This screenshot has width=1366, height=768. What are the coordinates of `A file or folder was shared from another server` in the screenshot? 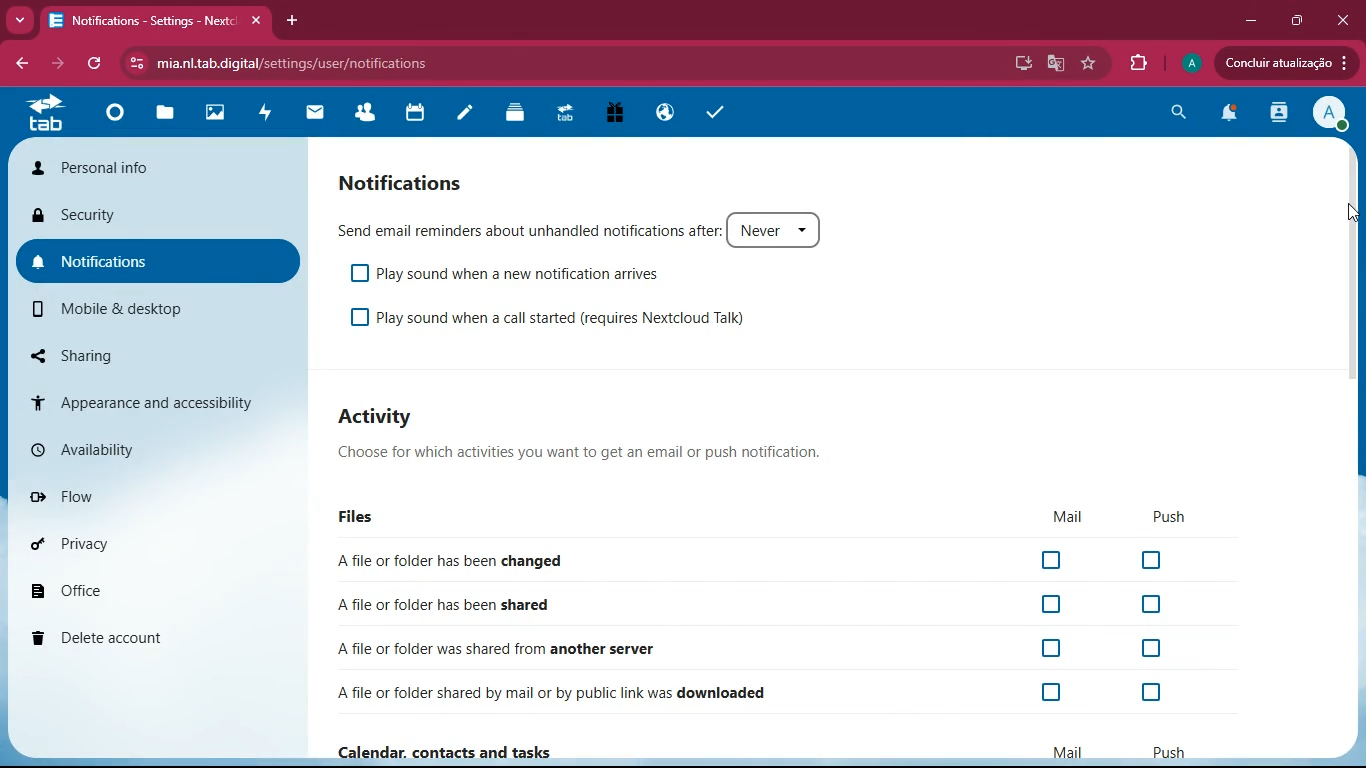 It's located at (598, 646).